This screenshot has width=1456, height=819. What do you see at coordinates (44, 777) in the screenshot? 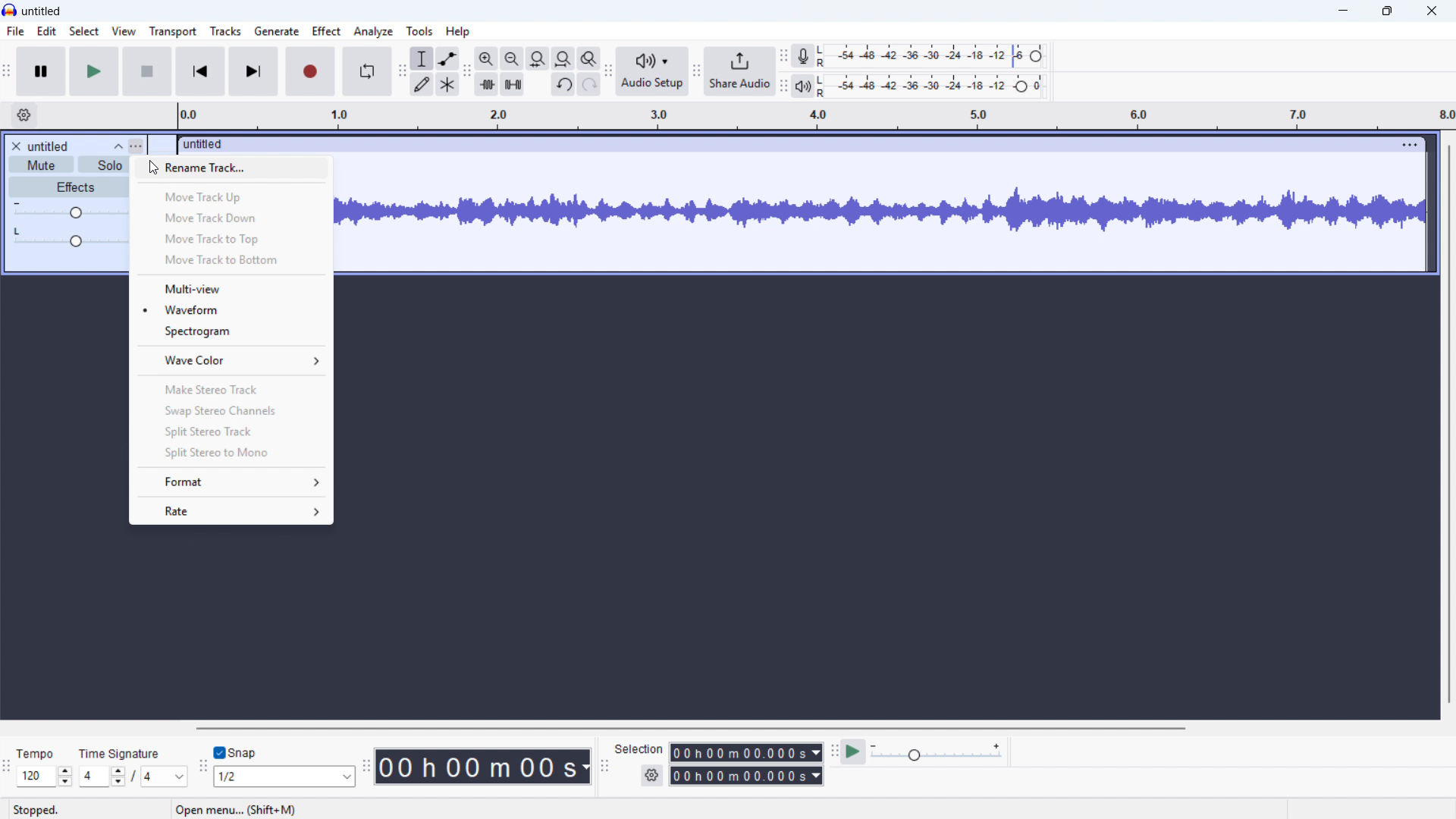
I see `Set tempo ` at bounding box center [44, 777].